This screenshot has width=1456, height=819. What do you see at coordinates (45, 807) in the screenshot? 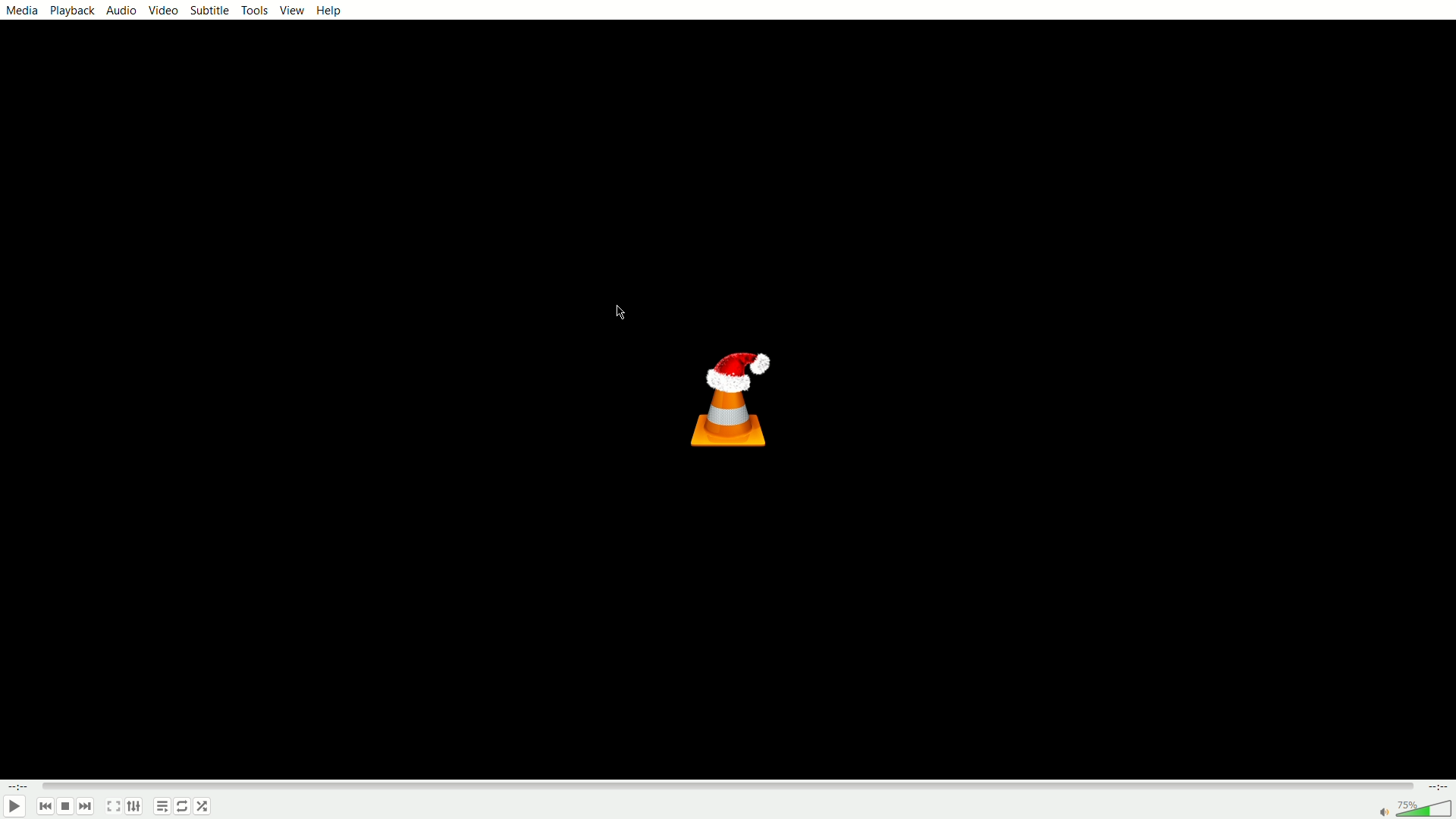
I see `previous` at bounding box center [45, 807].